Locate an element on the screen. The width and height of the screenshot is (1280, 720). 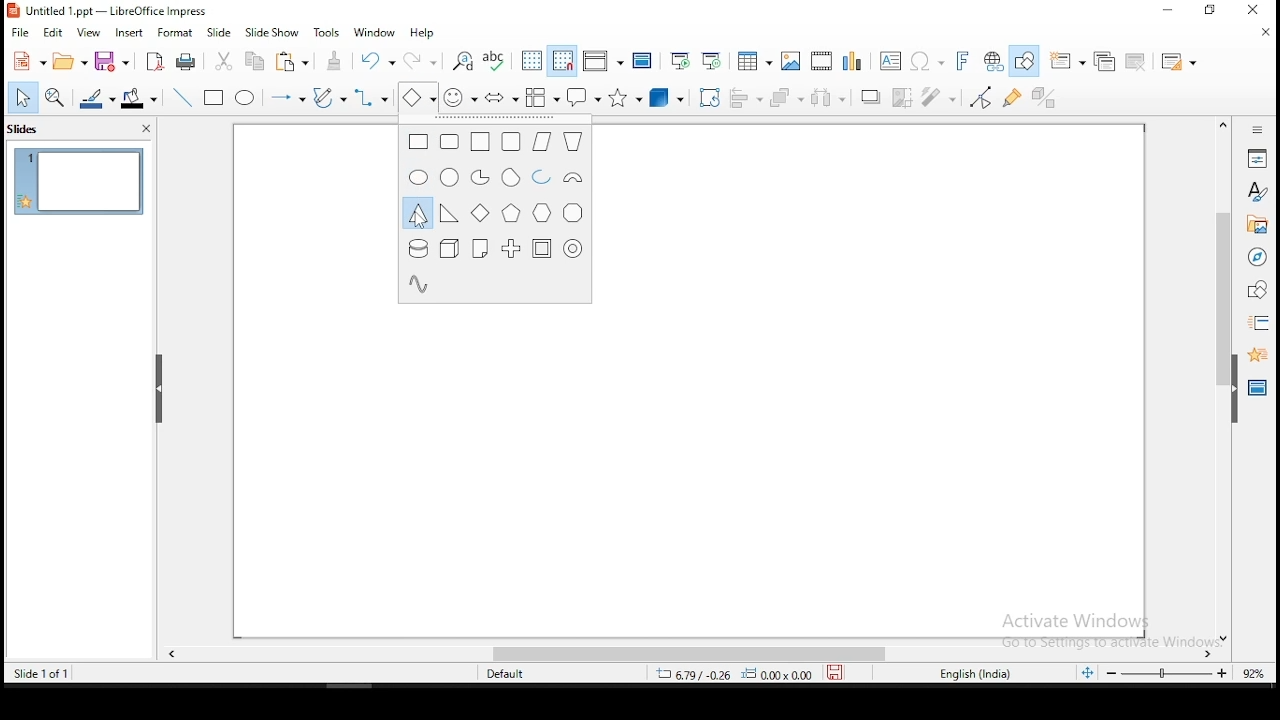
styles is located at coordinates (1258, 194).